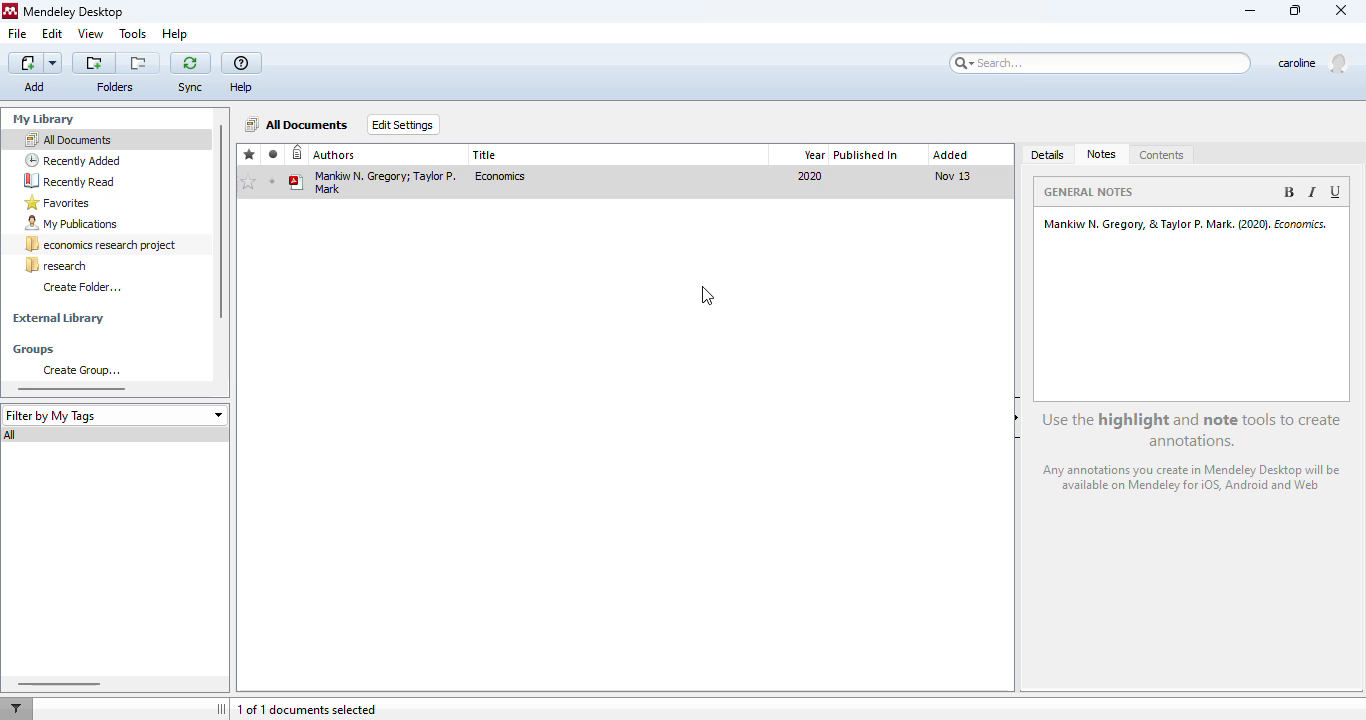 This screenshot has width=1366, height=720. I want to click on all, so click(12, 435).